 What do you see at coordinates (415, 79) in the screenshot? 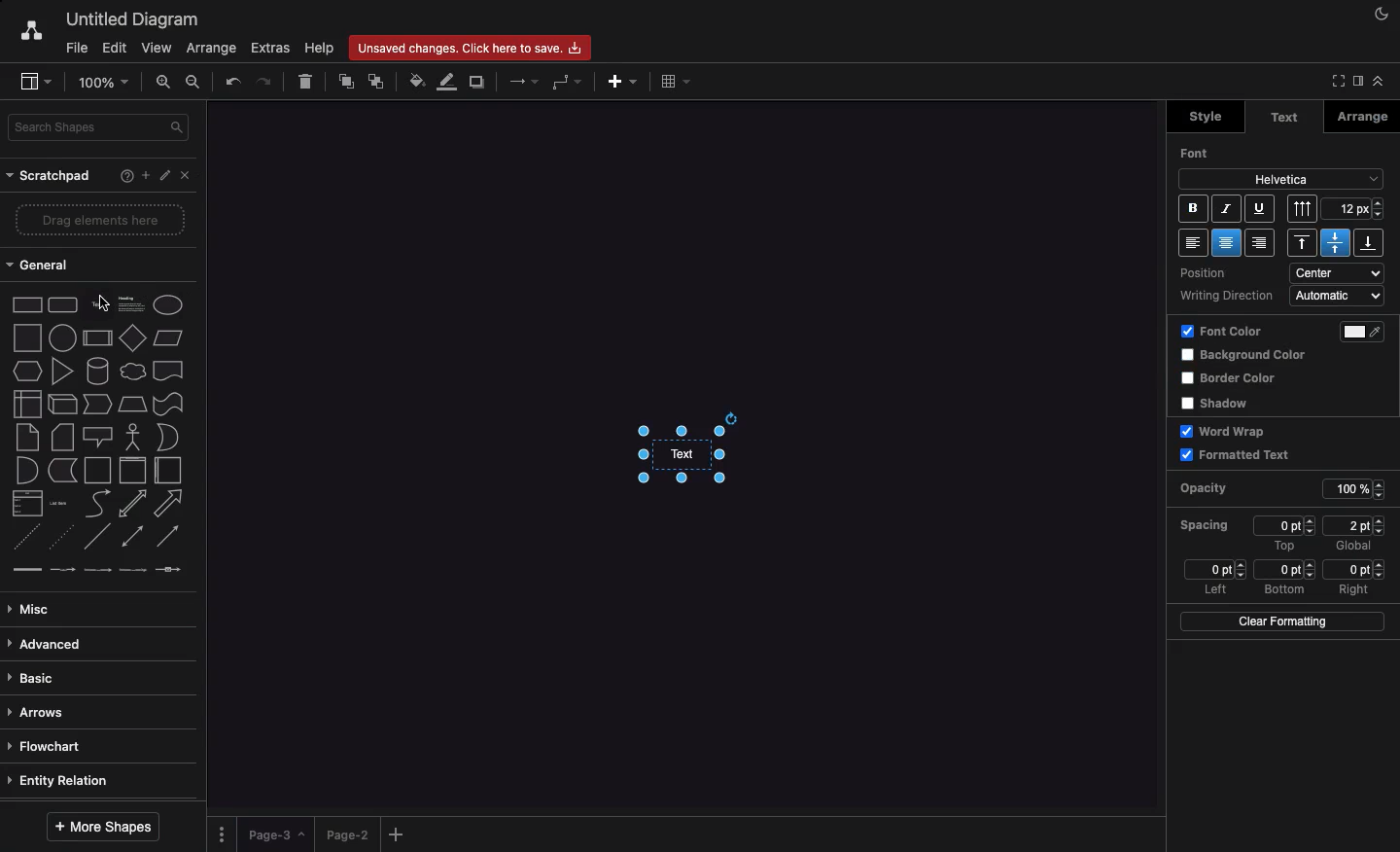
I see `Fill ` at bounding box center [415, 79].